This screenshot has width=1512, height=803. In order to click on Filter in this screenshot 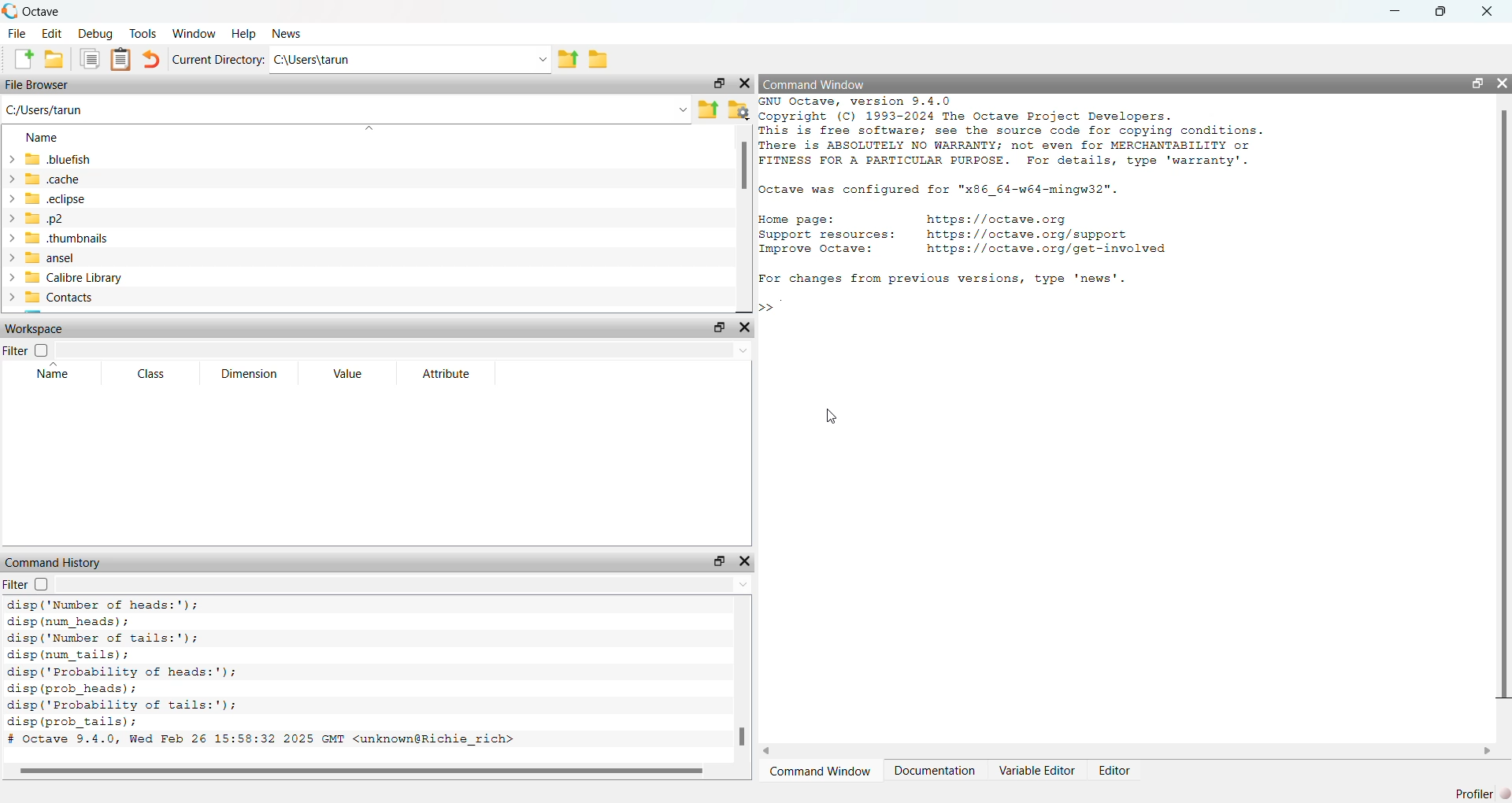, I will do `click(26, 583)`.